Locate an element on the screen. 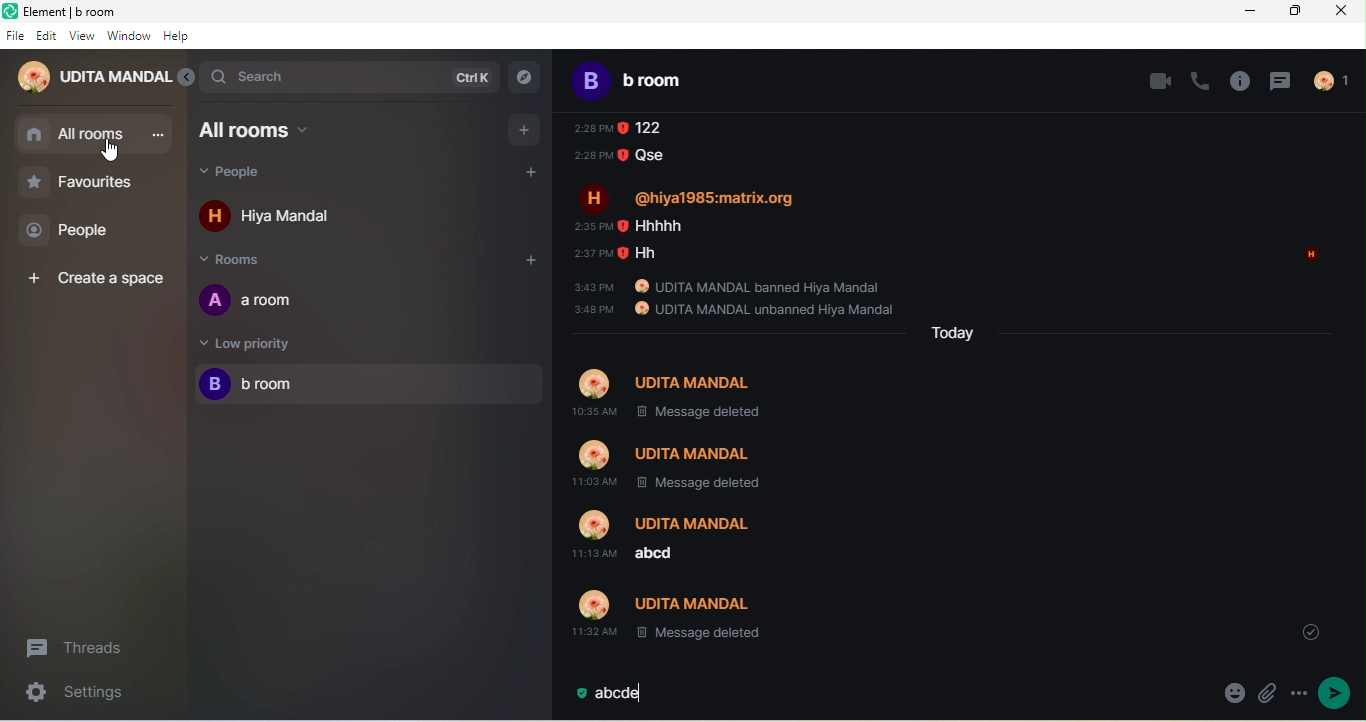  add room is located at coordinates (523, 129).